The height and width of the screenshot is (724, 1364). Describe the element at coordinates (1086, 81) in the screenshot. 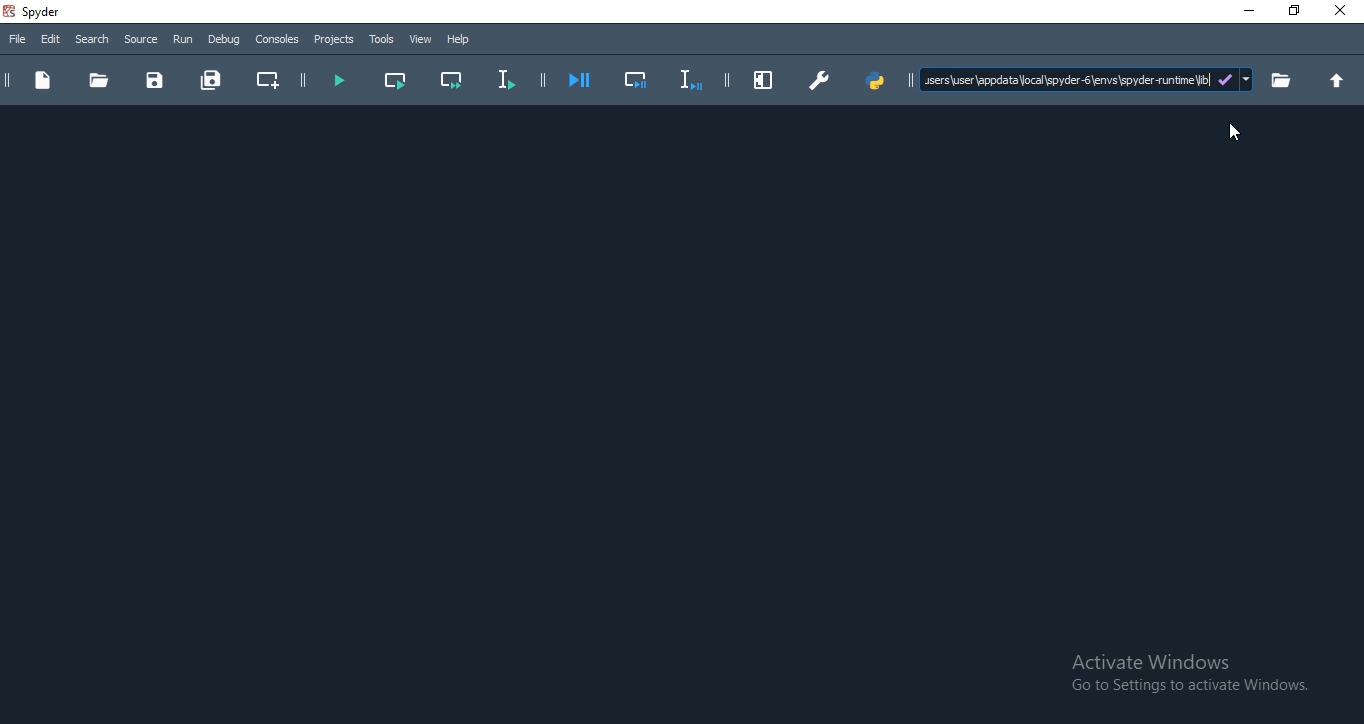

I see `file path` at that location.